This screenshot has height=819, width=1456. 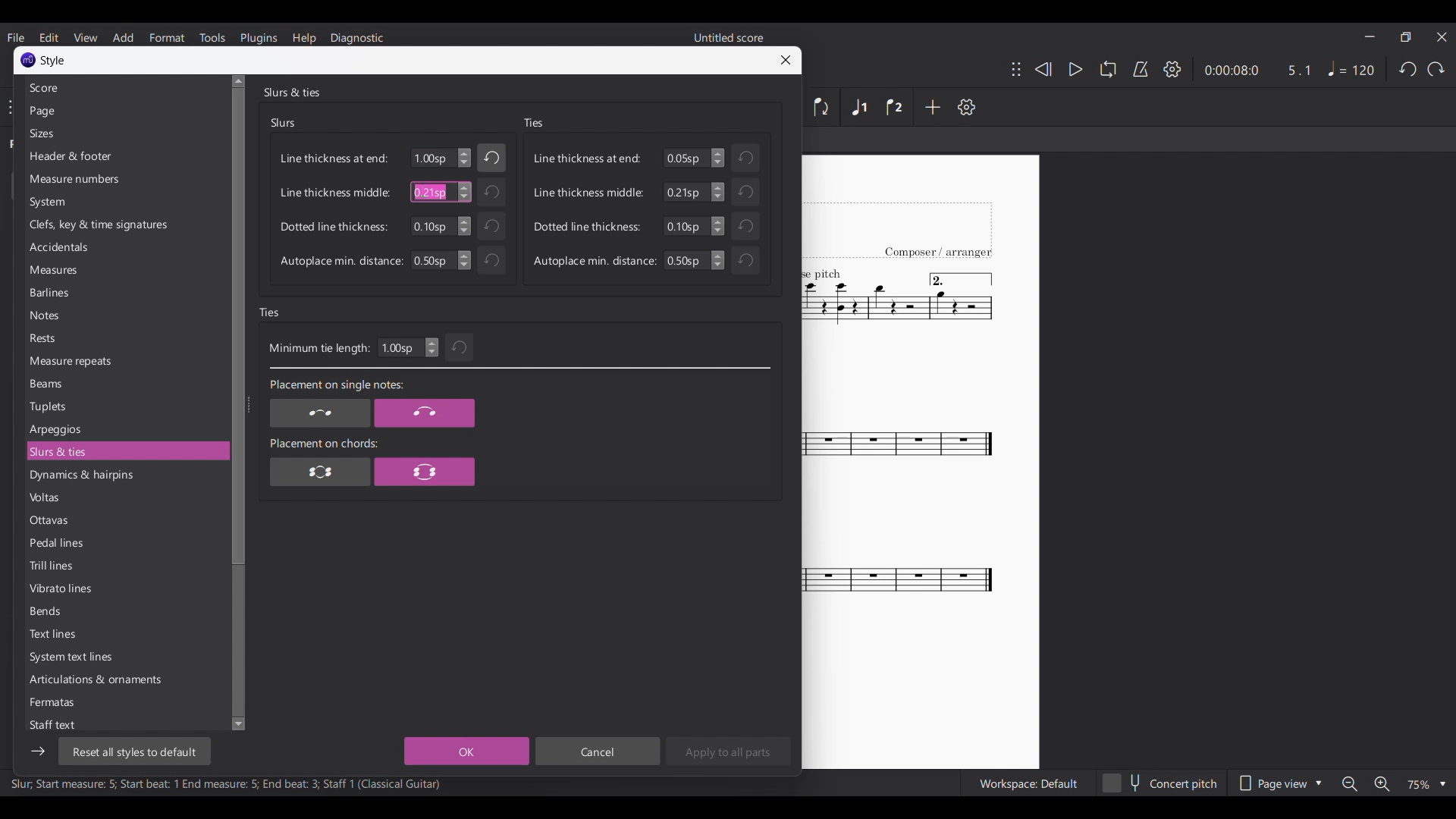 I want to click on Voltas, so click(x=124, y=497).